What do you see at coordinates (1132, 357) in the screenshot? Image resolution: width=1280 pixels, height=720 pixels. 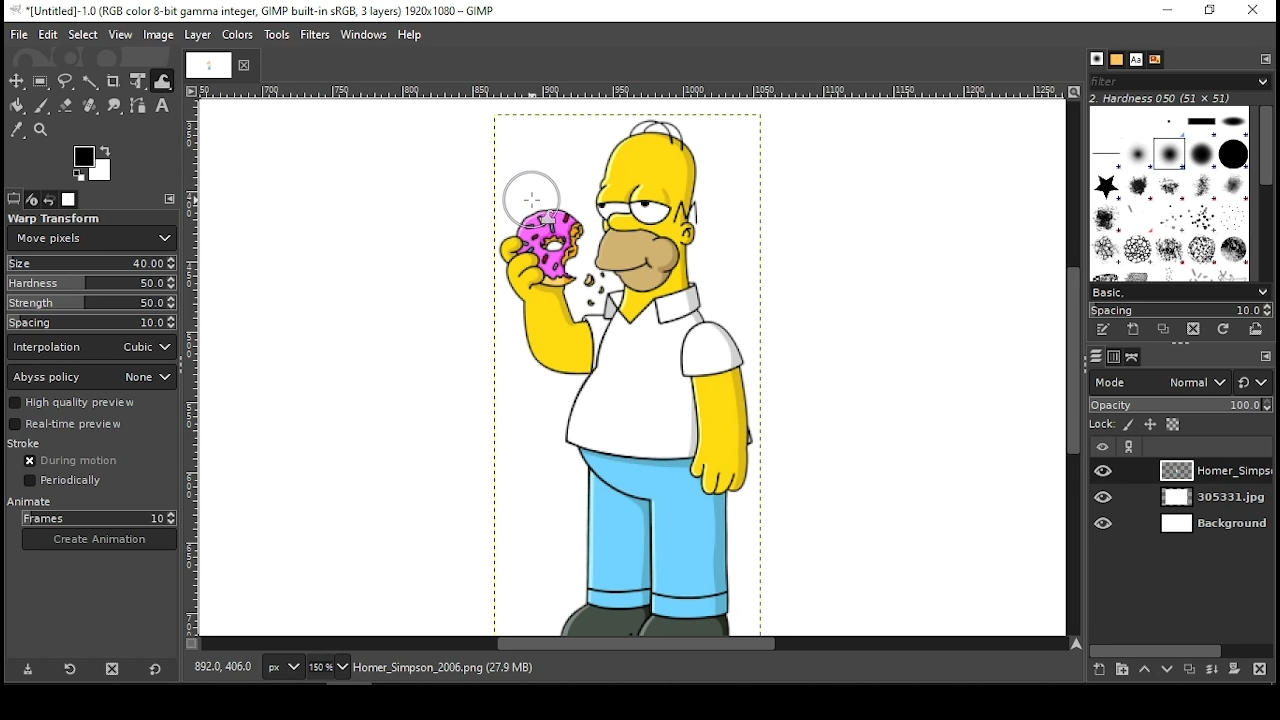 I see `paths` at bounding box center [1132, 357].